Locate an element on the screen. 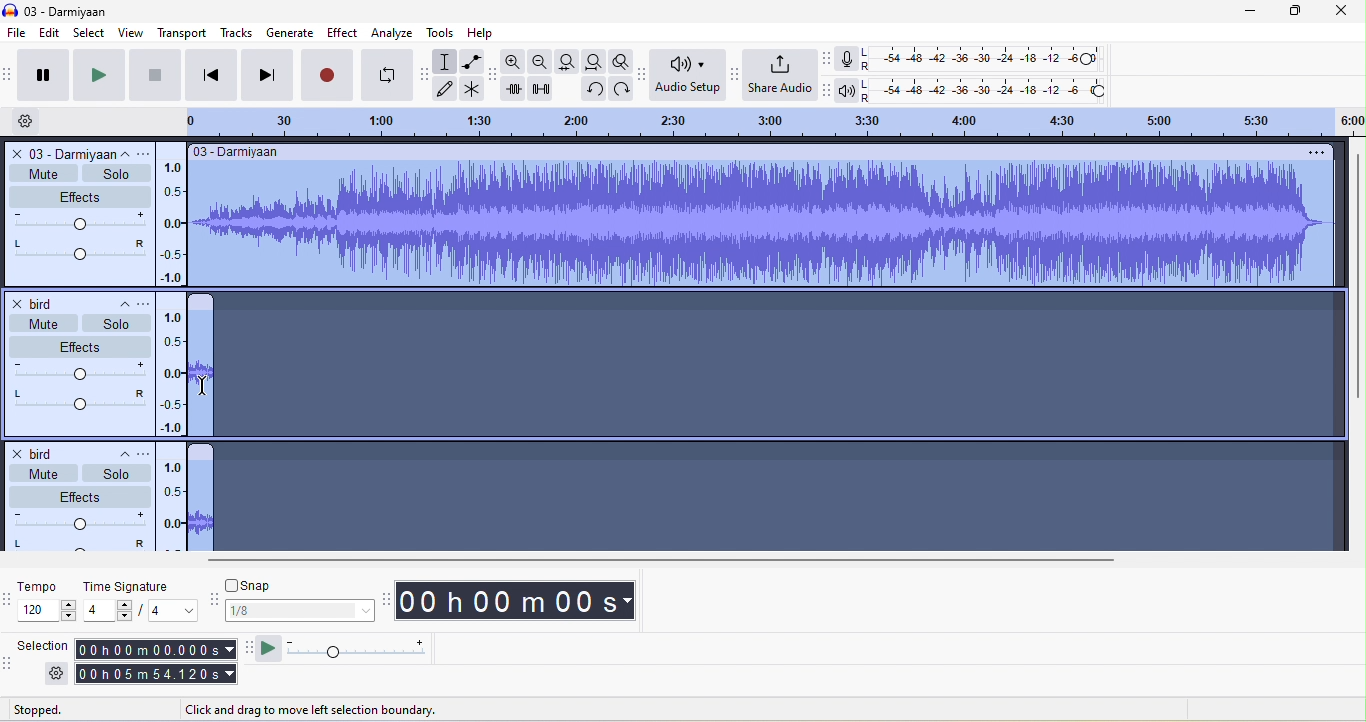  o3 darmiyaan is located at coordinates (59, 153).